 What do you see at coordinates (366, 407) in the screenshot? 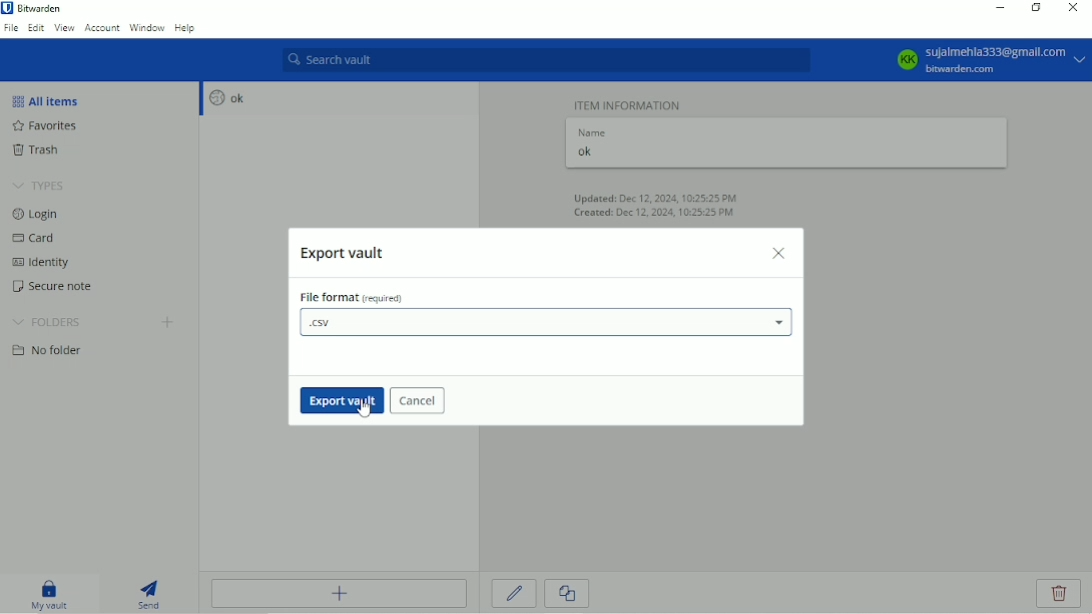
I see `Cursor` at bounding box center [366, 407].